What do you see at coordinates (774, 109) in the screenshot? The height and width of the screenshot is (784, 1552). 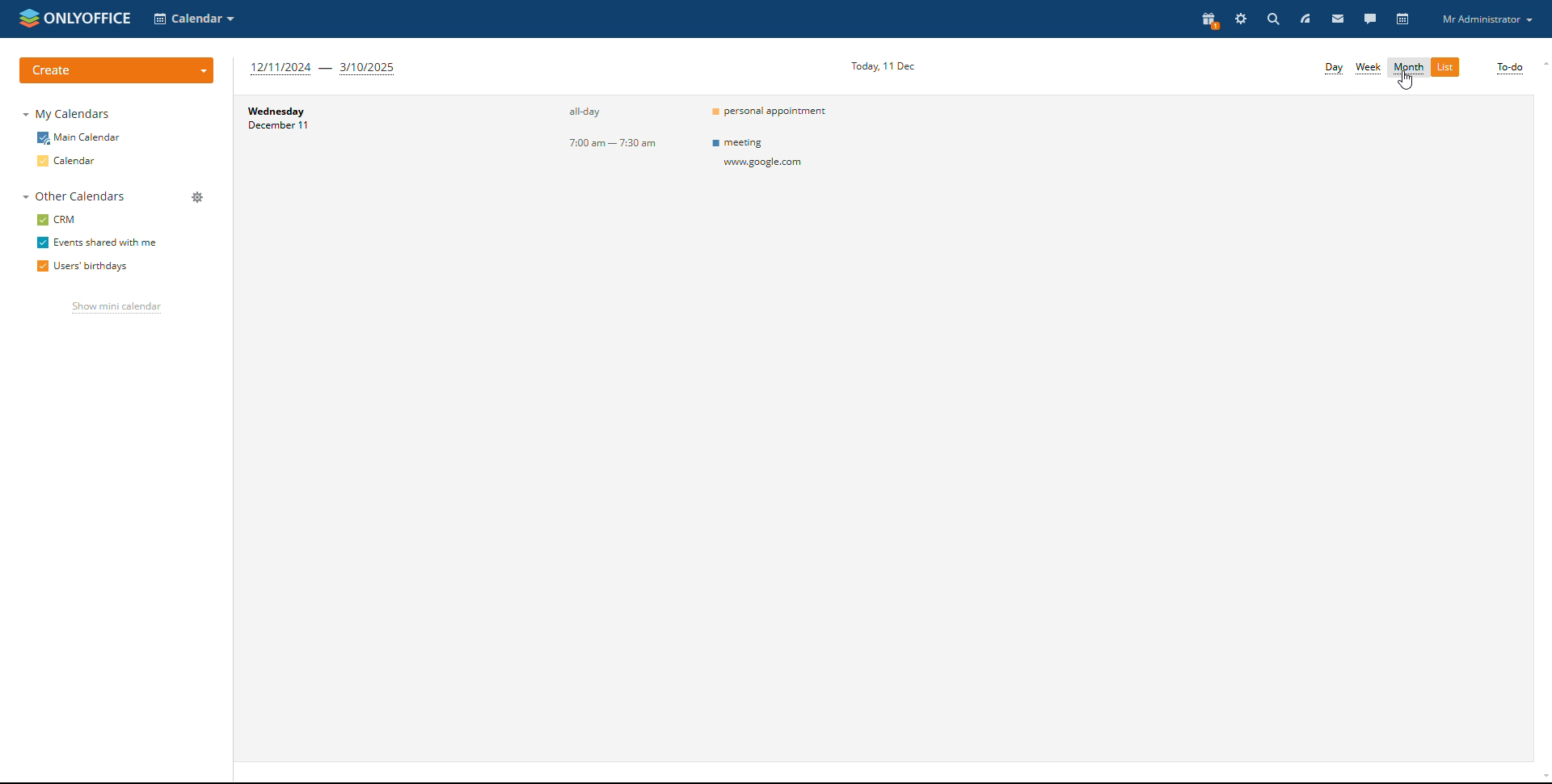 I see `events` at bounding box center [774, 109].